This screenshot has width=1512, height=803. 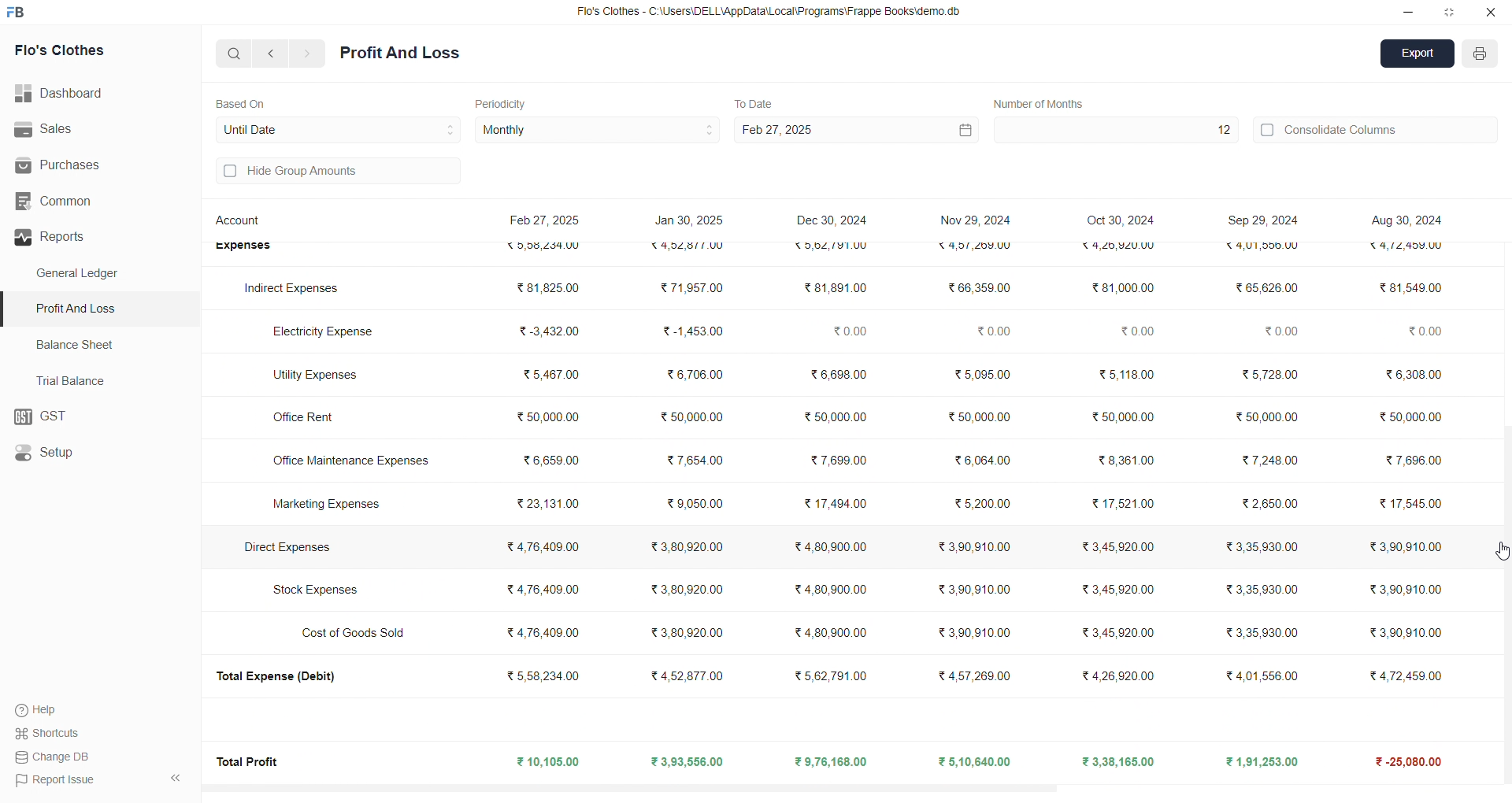 I want to click on ₹5,62,791.00, so click(x=832, y=675).